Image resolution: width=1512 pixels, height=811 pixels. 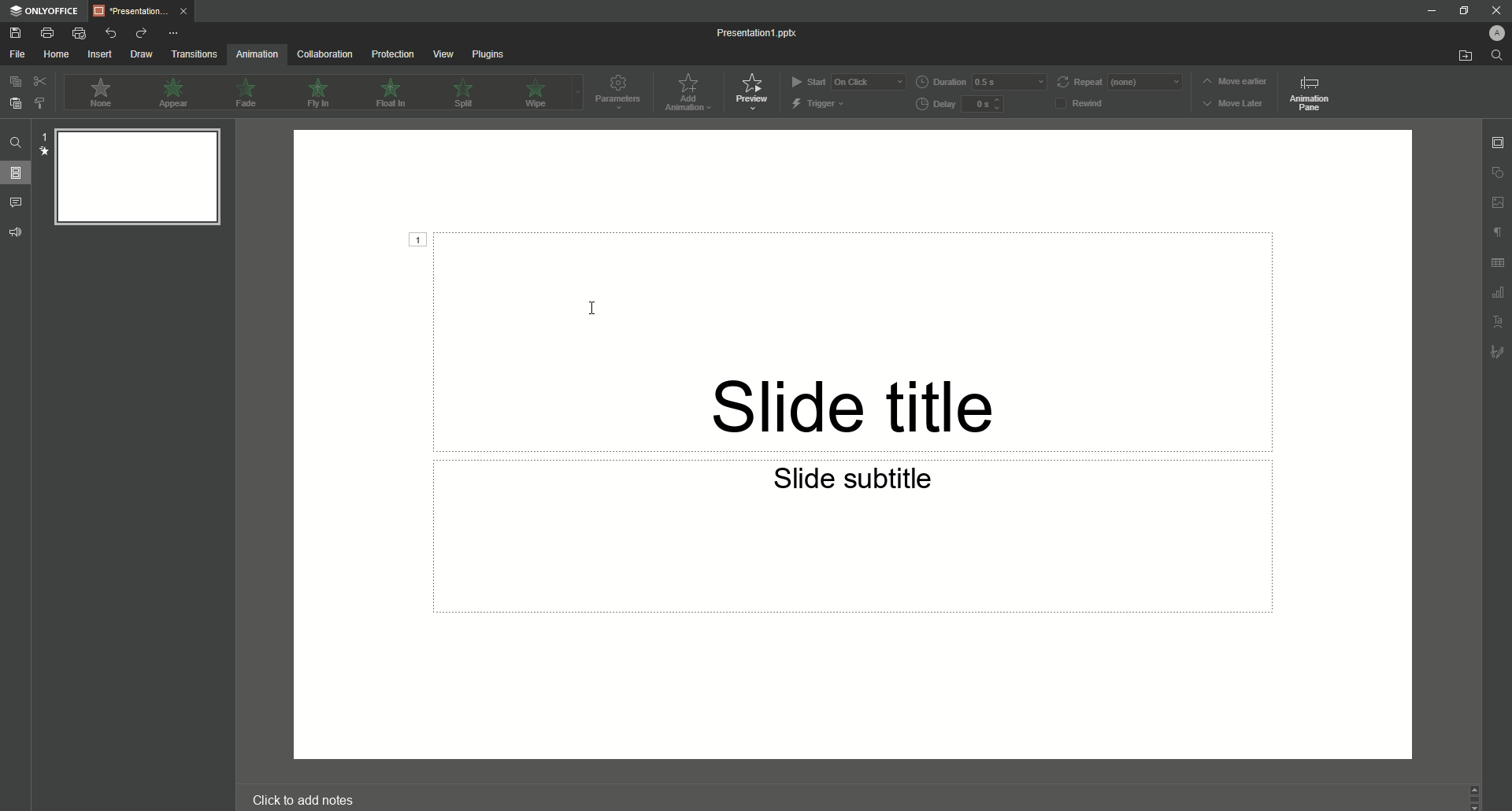 I want to click on Draw, so click(x=143, y=54).